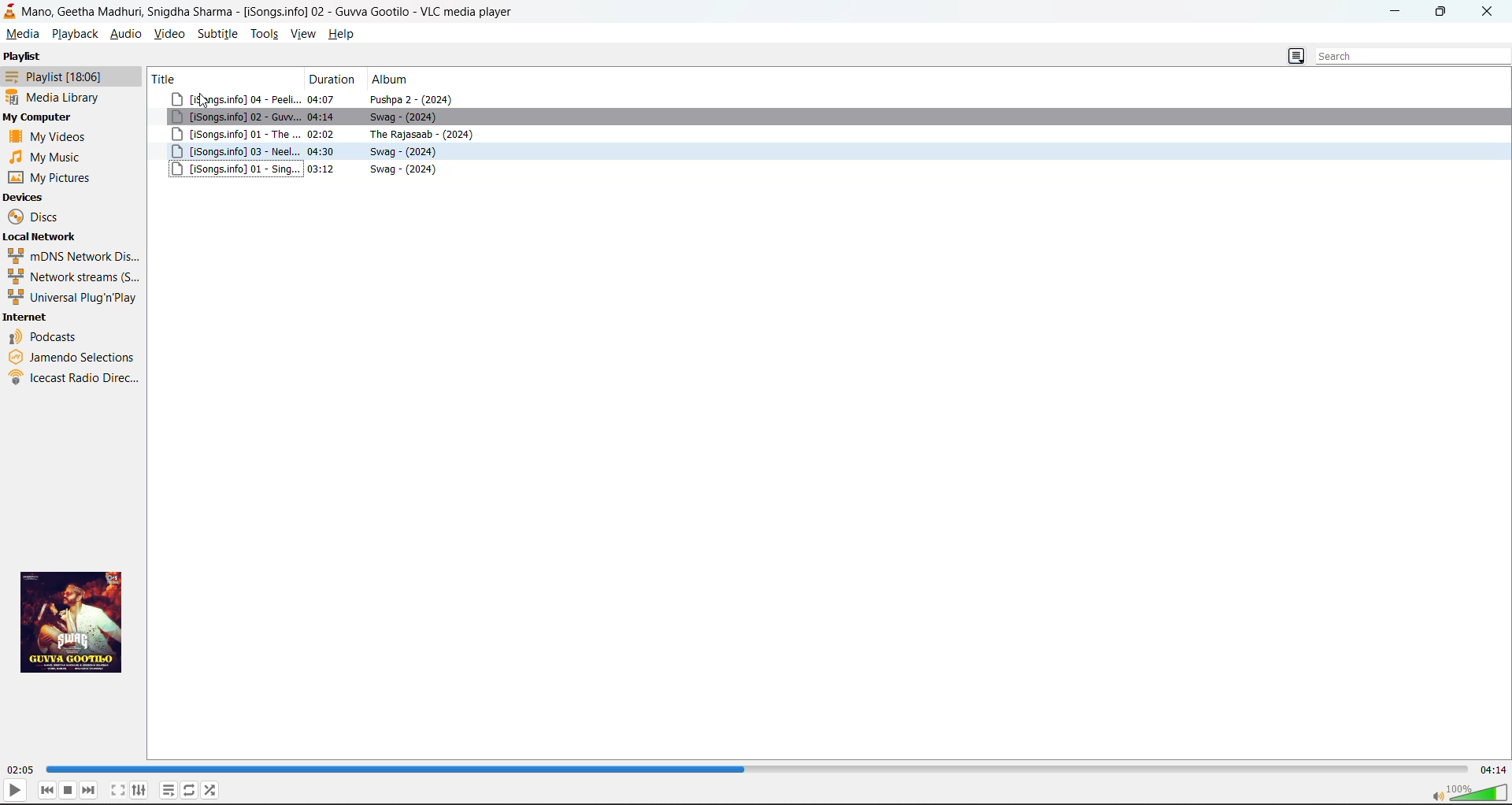 The height and width of the screenshot is (805, 1512). I want to click on settings, so click(140, 790).